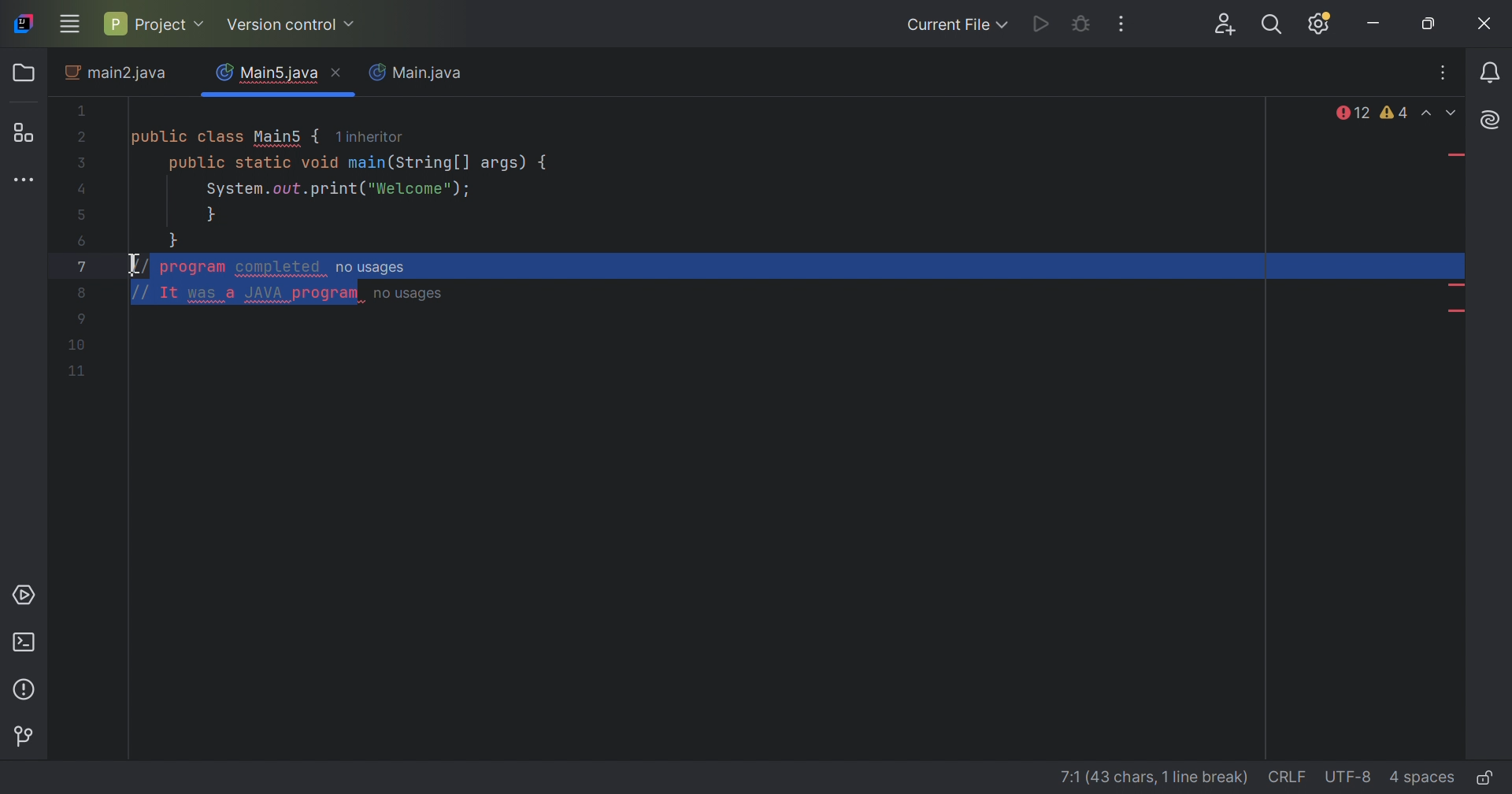 The height and width of the screenshot is (794, 1512). I want to click on Code with me, so click(1226, 24).